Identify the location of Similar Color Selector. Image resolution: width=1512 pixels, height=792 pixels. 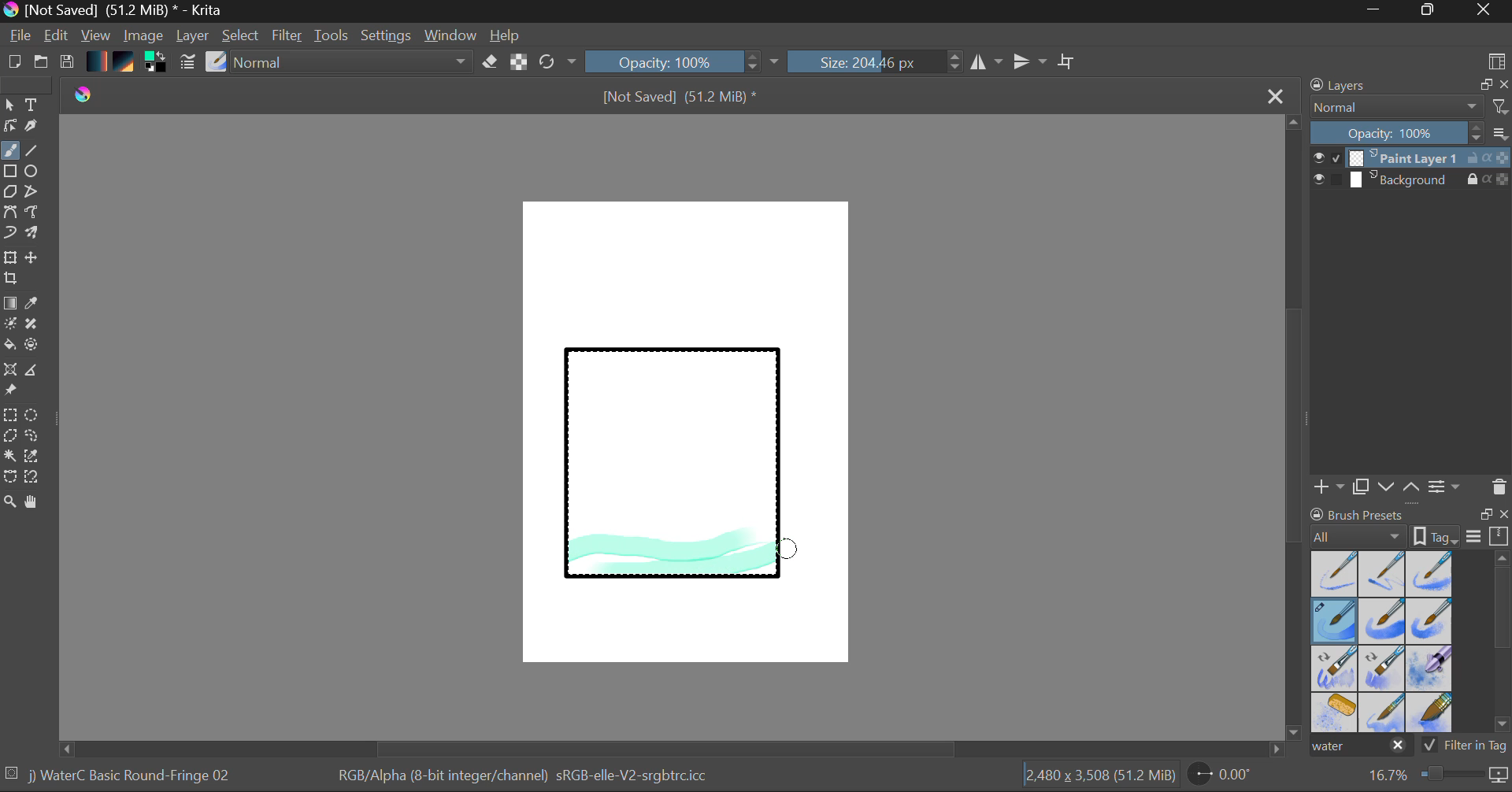
(36, 457).